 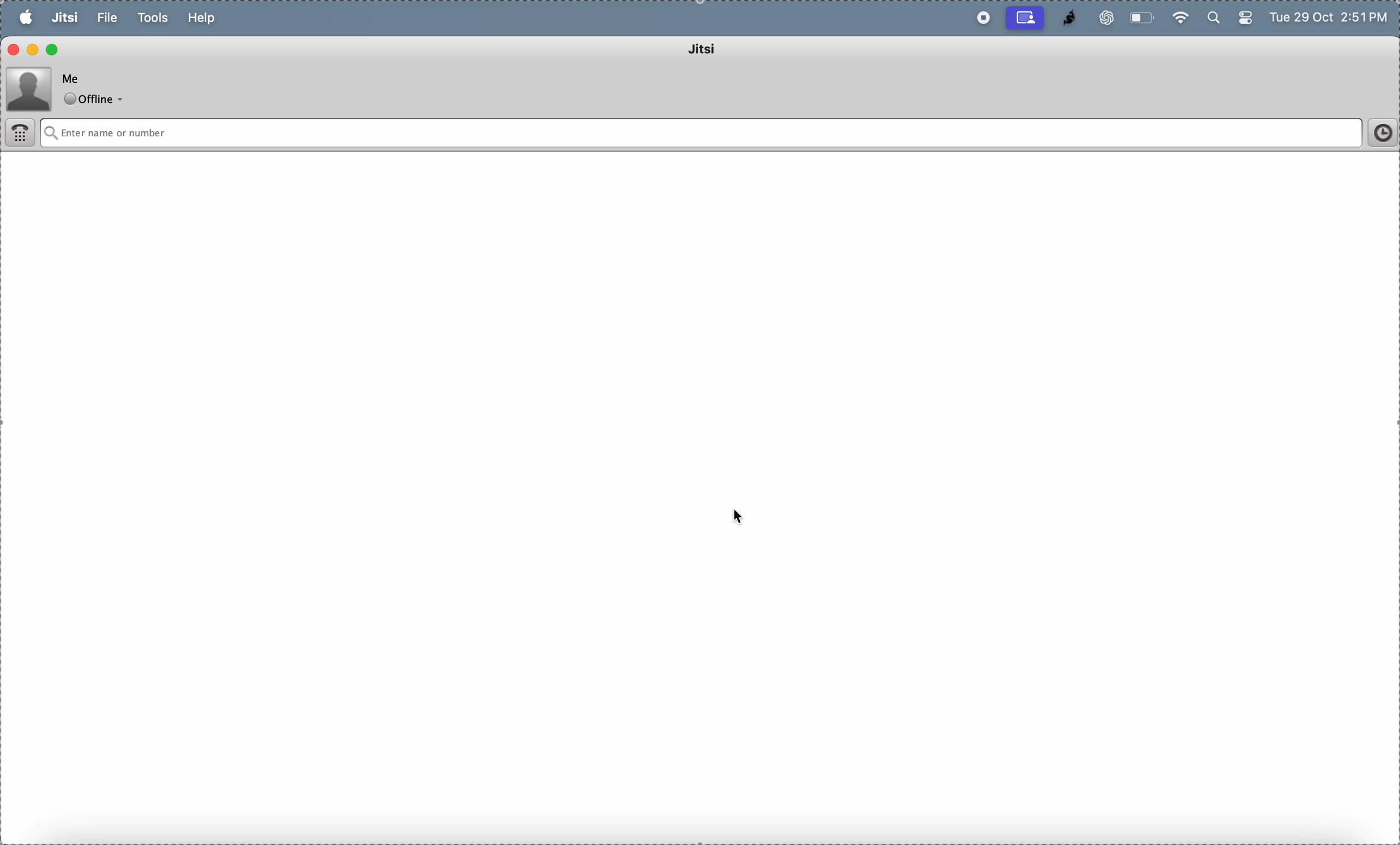 What do you see at coordinates (1244, 20) in the screenshot?
I see `battery` at bounding box center [1244, 20].